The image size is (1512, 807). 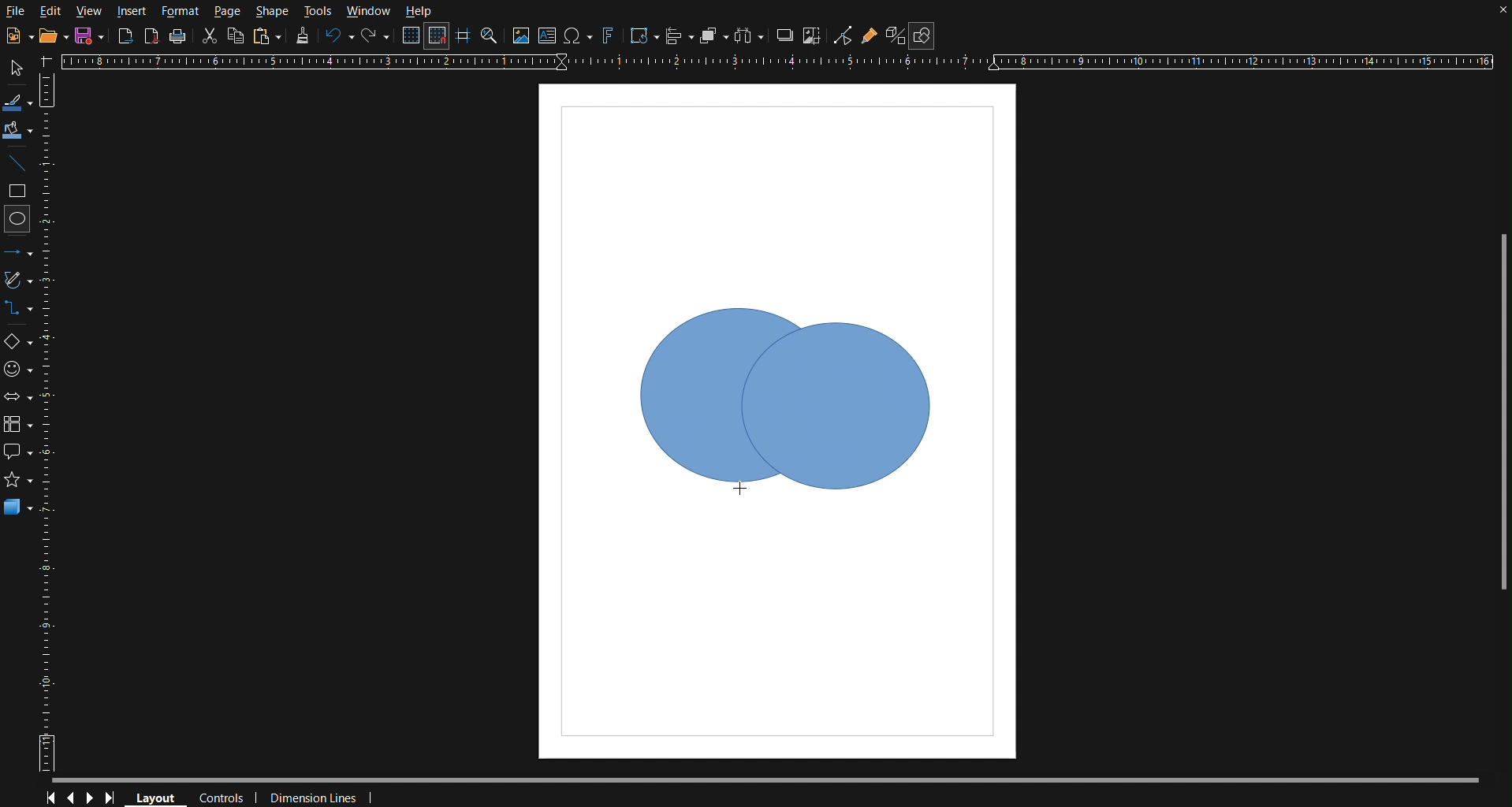 What do you see at coordinates (131, 9) in the screenshot?
I see `Insert` at bounding box center [131, 9].